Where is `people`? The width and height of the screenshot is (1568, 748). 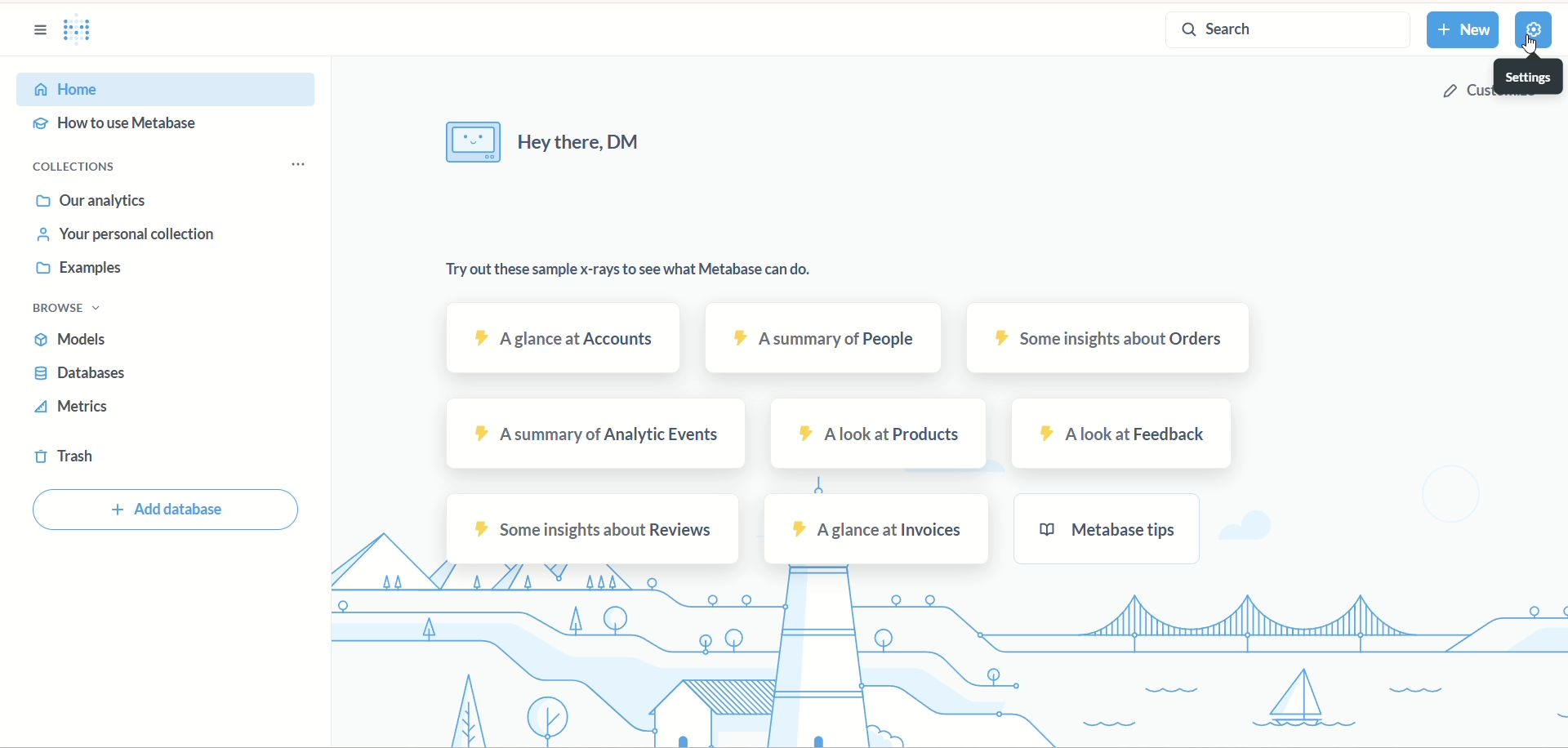
people is located at coordinates (826, 338).